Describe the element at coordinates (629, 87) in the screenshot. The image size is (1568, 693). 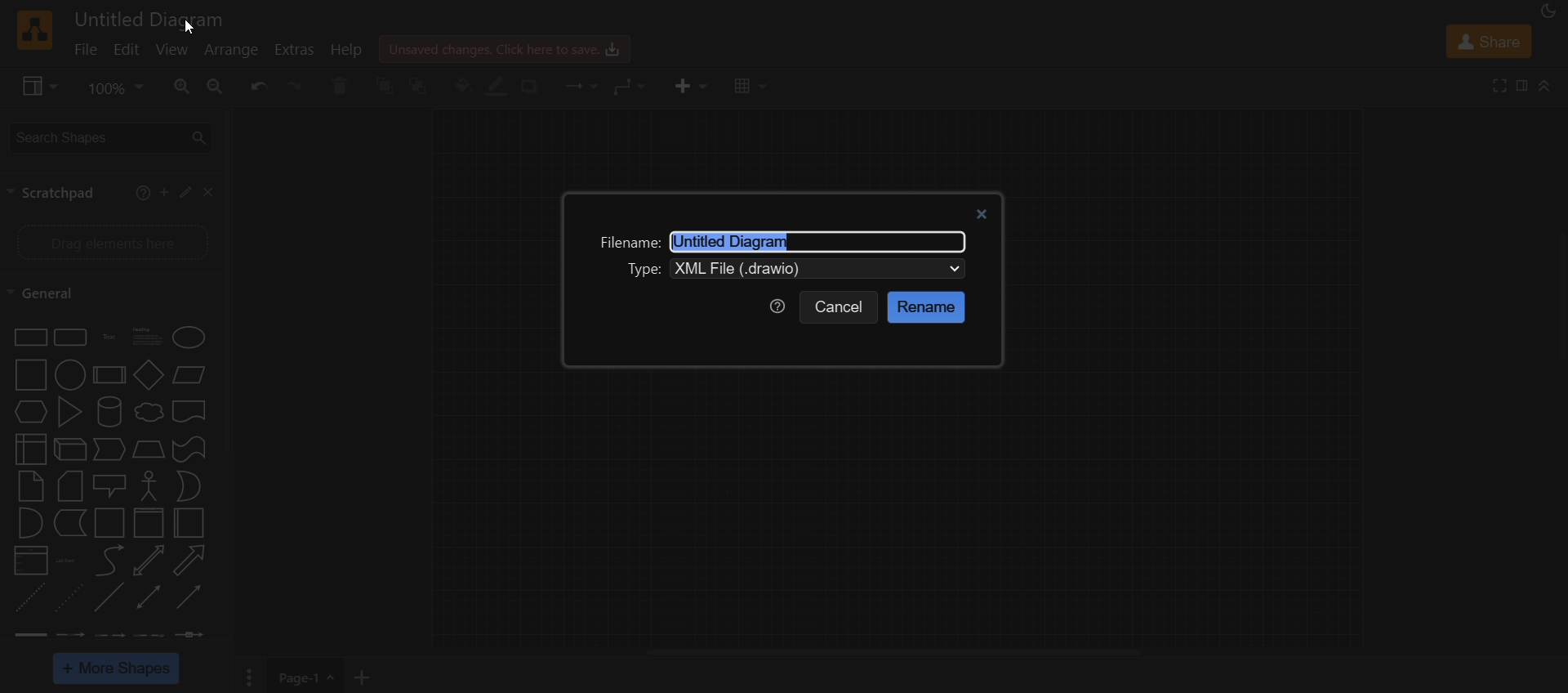
I see `waypoints` at that location.